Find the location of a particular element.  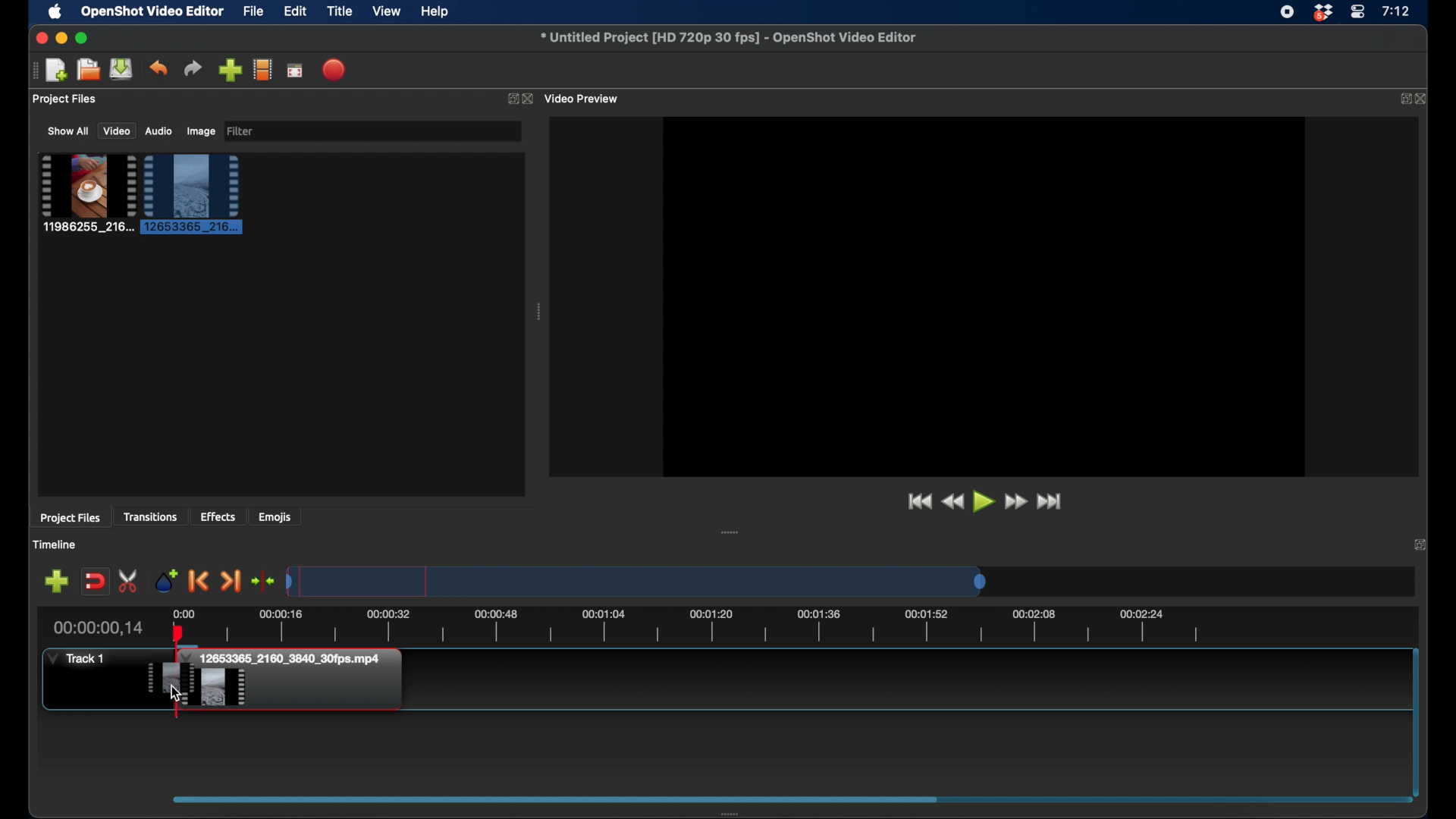

jump to end is located at coordinates (1052, 502).